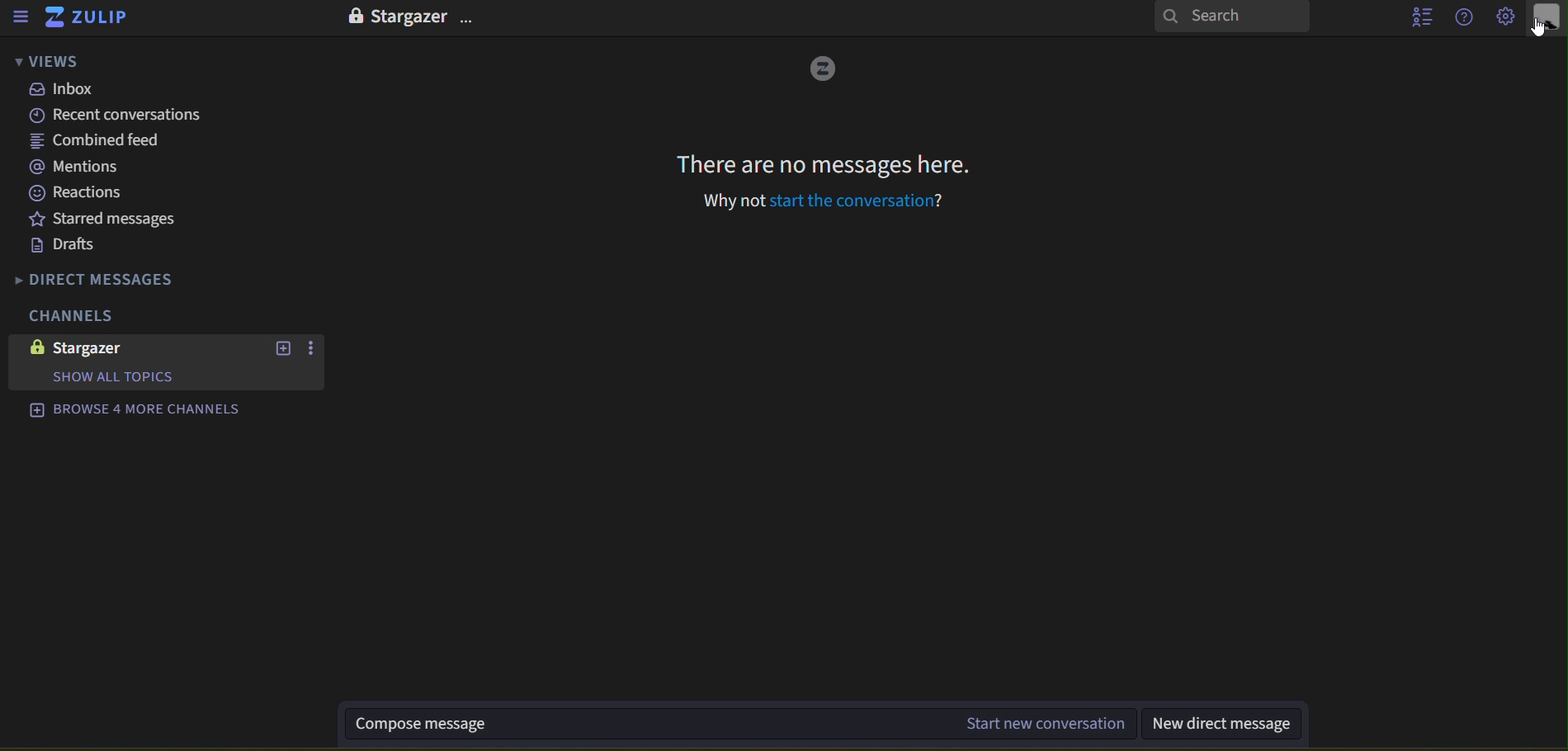  Describe the element at coordinates (820, 166) in the screenshot. I see `There are no messages here.` at that location.